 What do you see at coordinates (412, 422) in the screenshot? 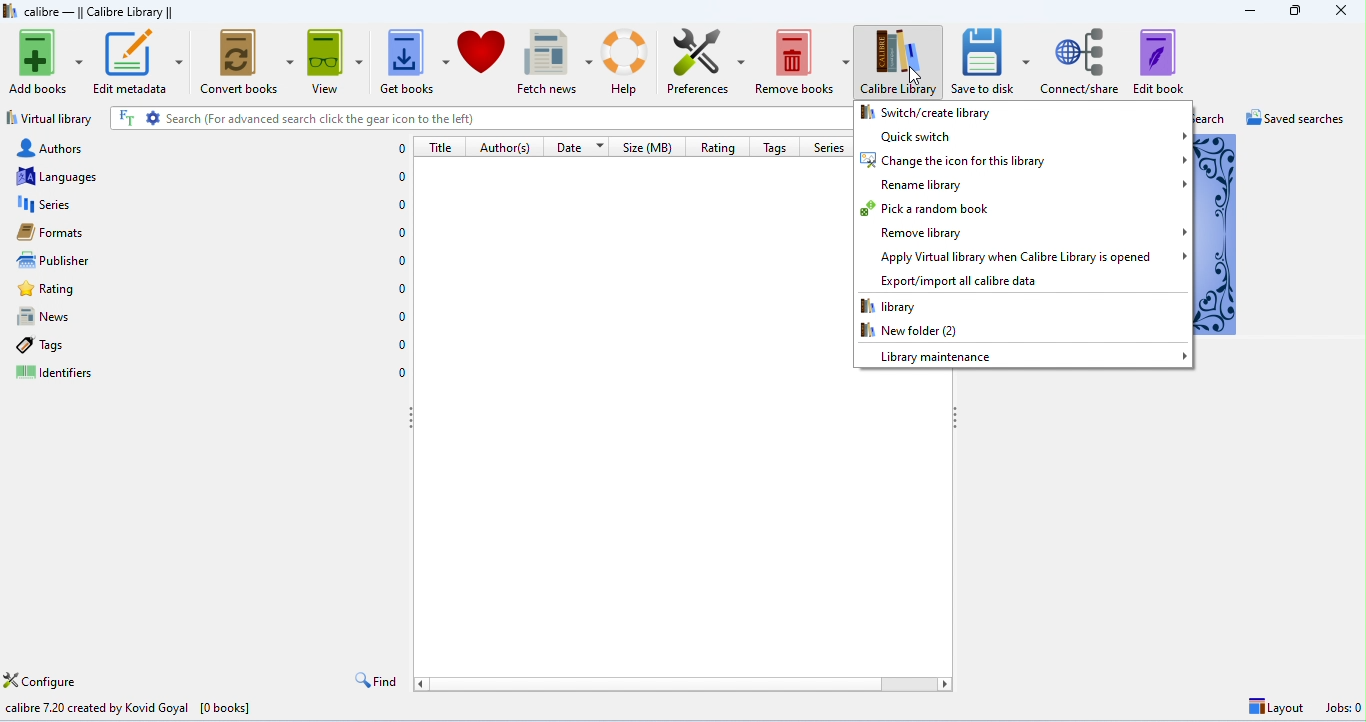
I see `drag to expand or collapse` at bounding box center [412, 422].